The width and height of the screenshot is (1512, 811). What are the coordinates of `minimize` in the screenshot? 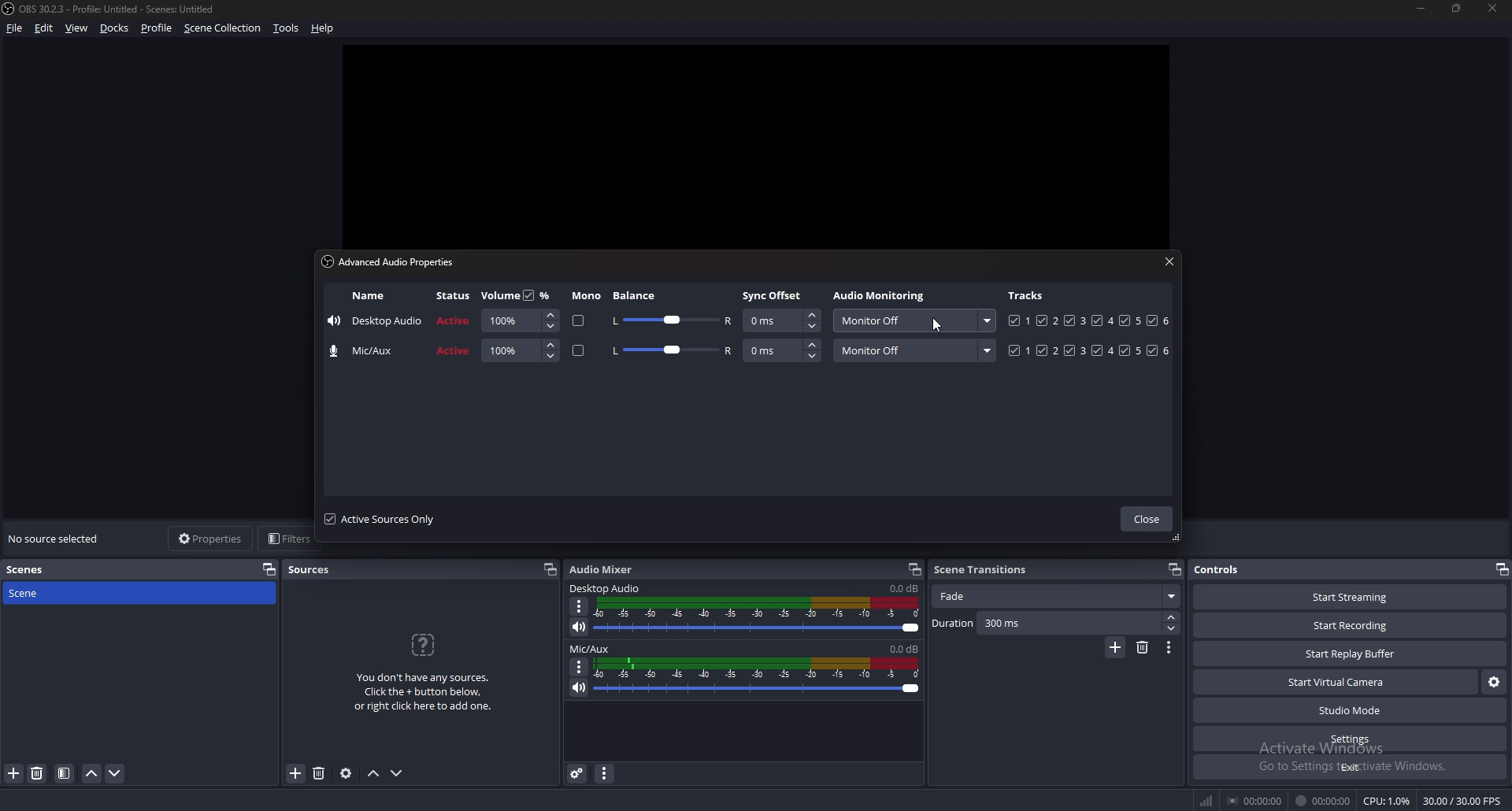 It's located at (1420, 9).